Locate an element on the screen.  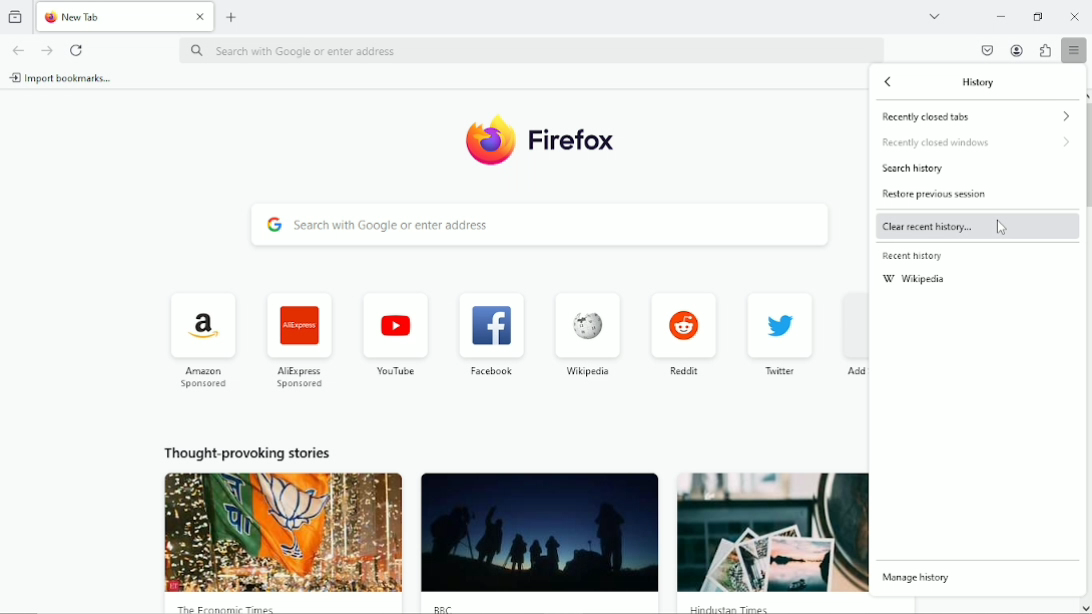
back is located at coordinates (889, 84).